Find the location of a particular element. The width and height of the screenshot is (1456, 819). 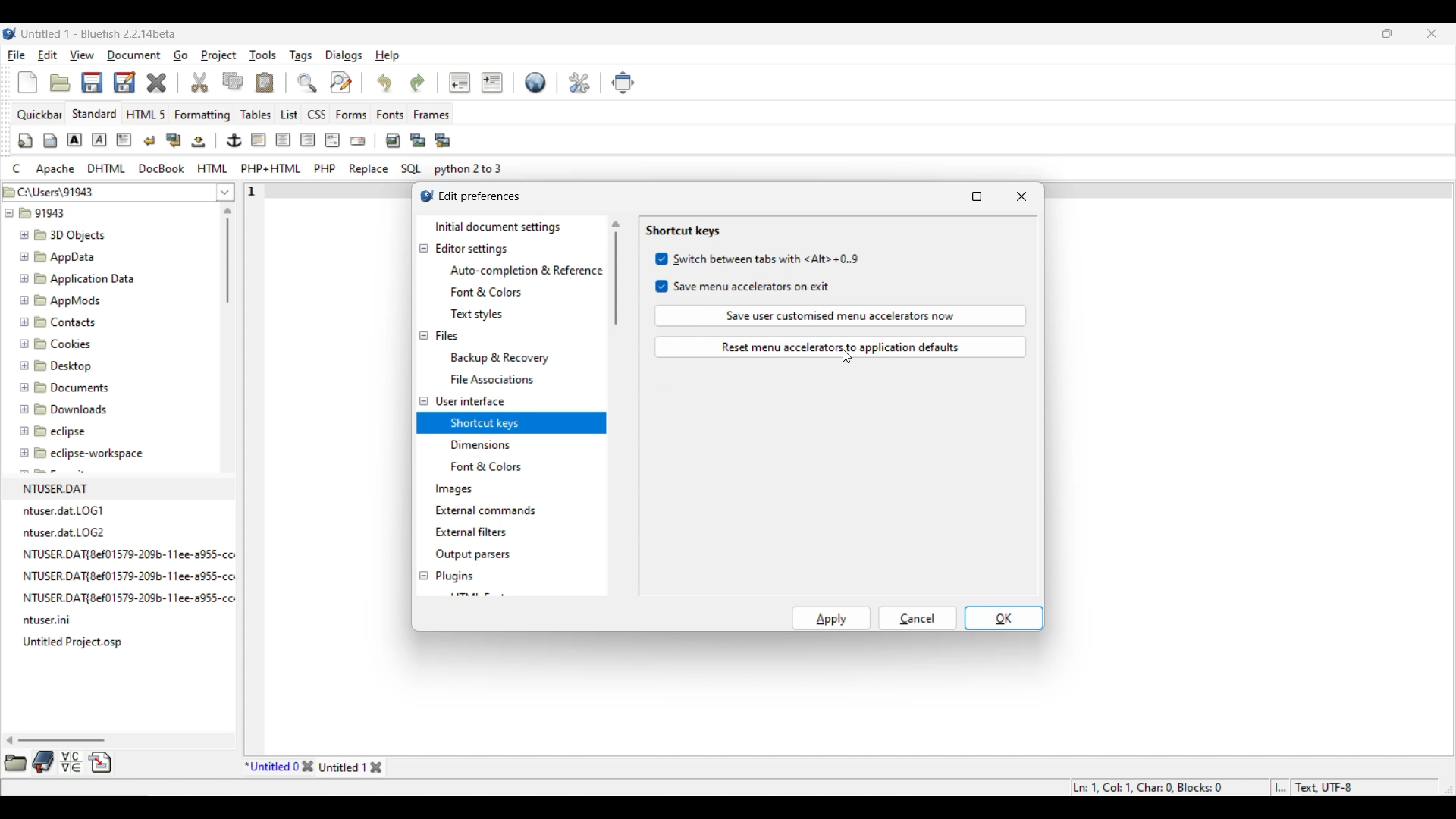

Dialogs menu is located at coordinates (344, 55).